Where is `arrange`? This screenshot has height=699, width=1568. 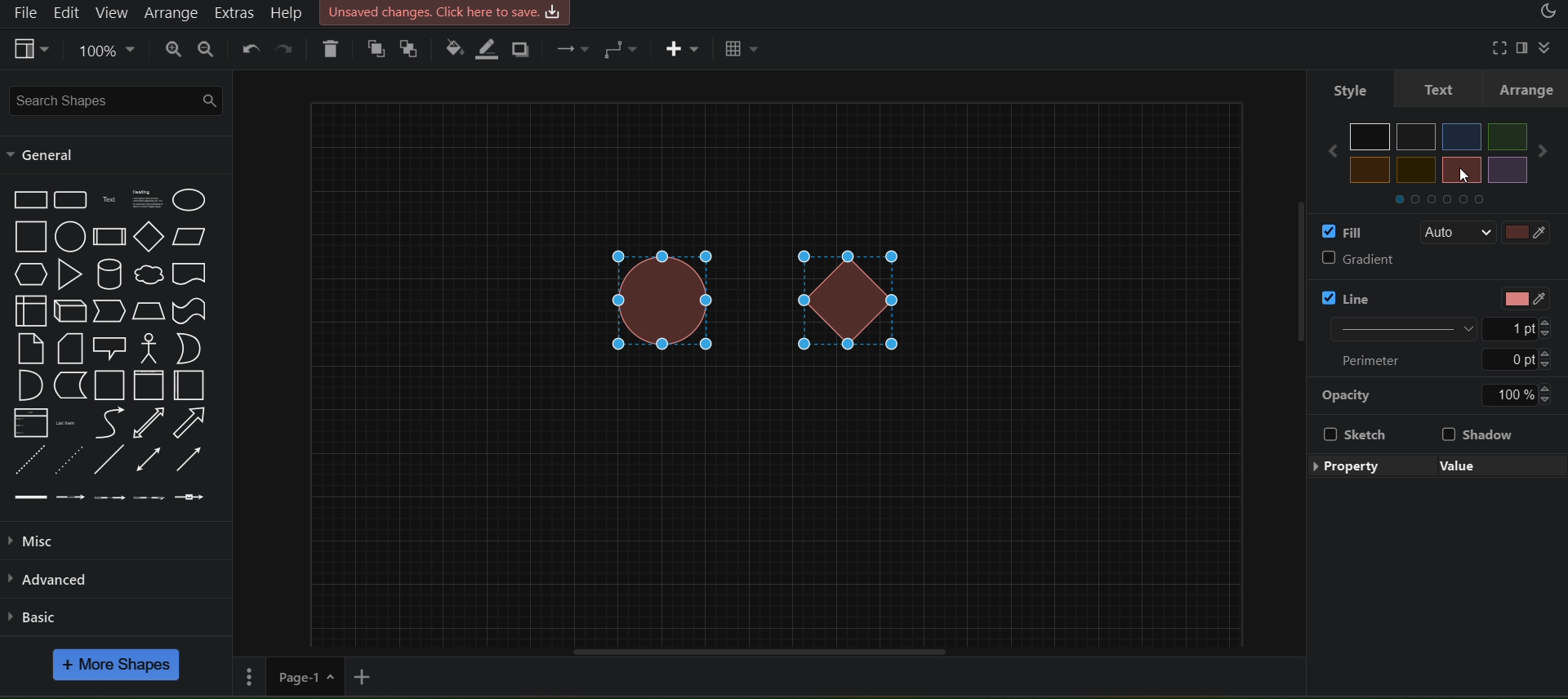
arrange is located at coordinates (170, 11).